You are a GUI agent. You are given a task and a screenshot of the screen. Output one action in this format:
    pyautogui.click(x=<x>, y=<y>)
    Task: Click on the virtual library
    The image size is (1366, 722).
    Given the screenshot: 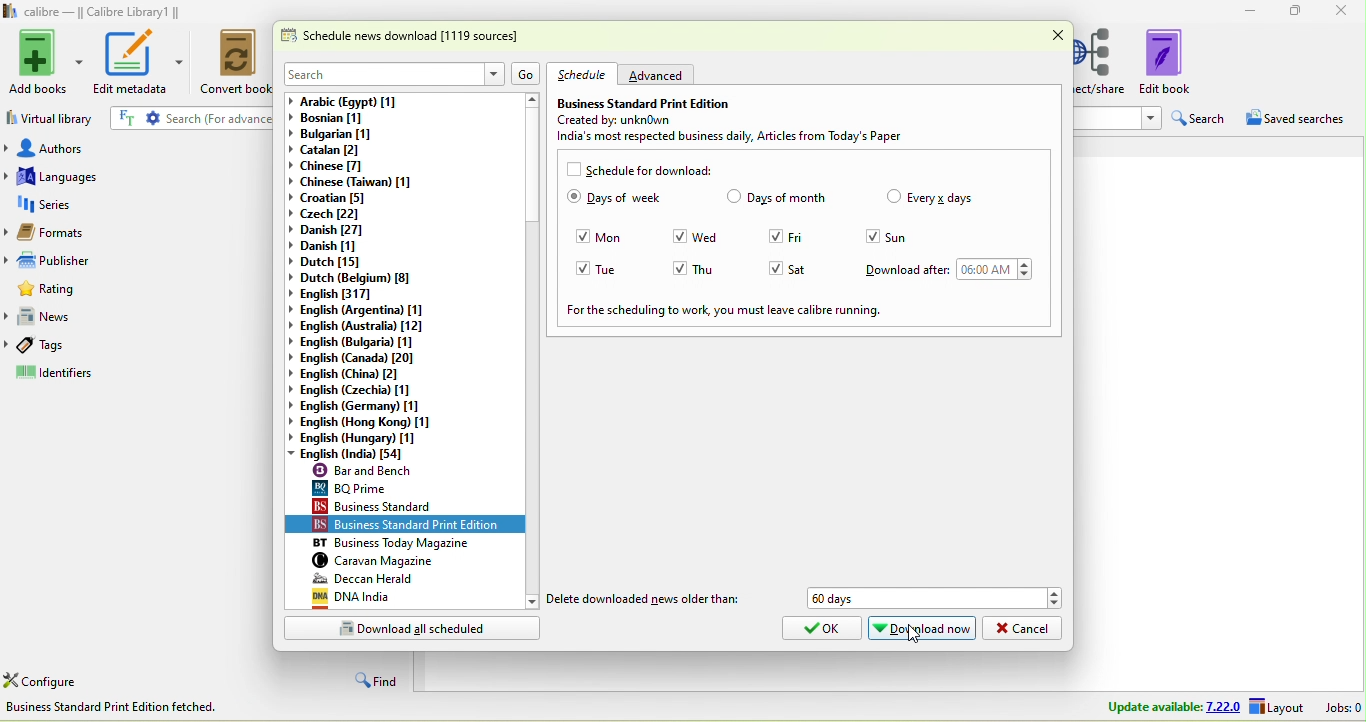 What is the action you would take?
    pyautogui.click(x=51, y=117)
    